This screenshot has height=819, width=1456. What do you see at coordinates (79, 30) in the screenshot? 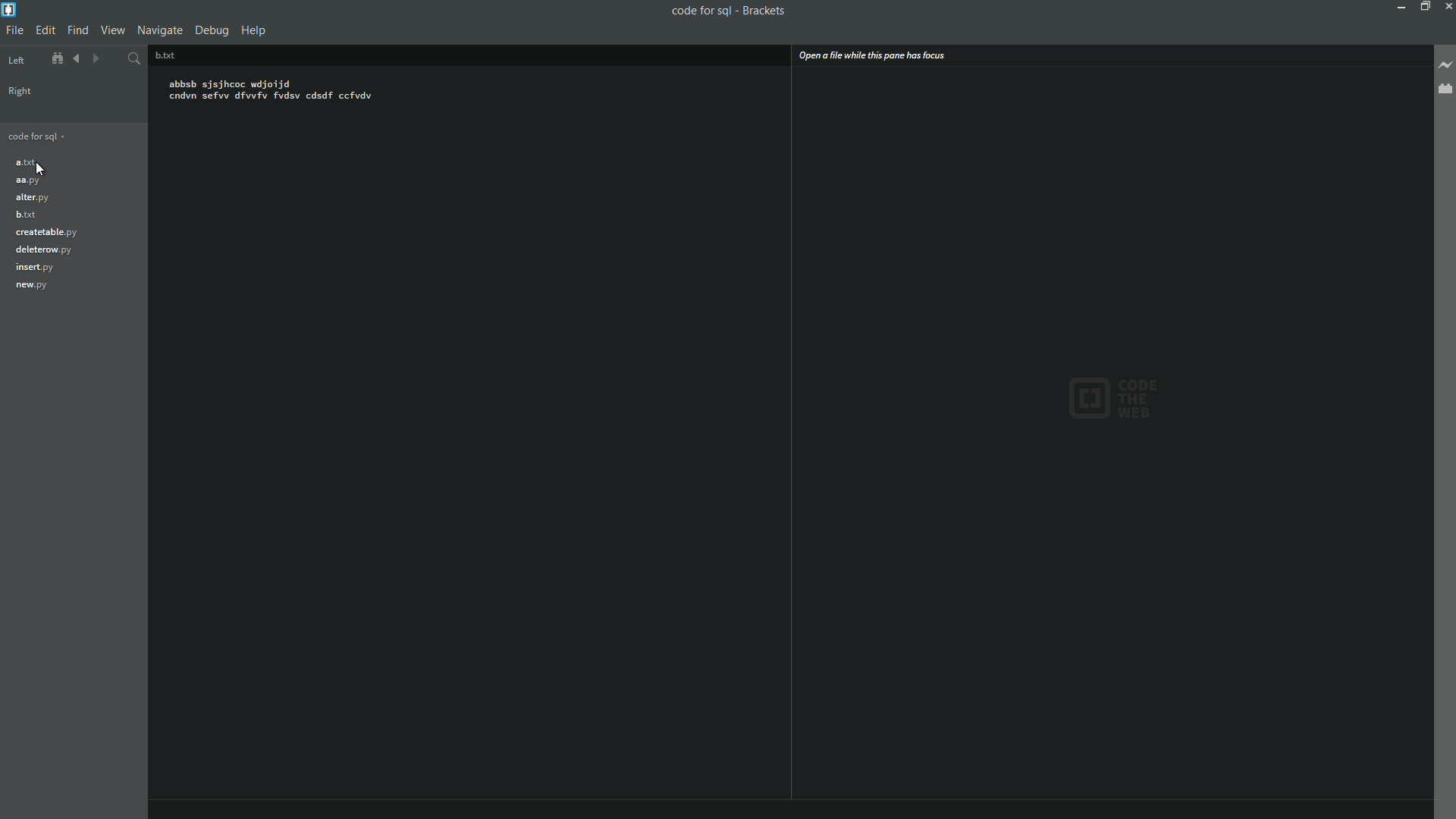
I see `find menu` at bounding box center [79, 30].